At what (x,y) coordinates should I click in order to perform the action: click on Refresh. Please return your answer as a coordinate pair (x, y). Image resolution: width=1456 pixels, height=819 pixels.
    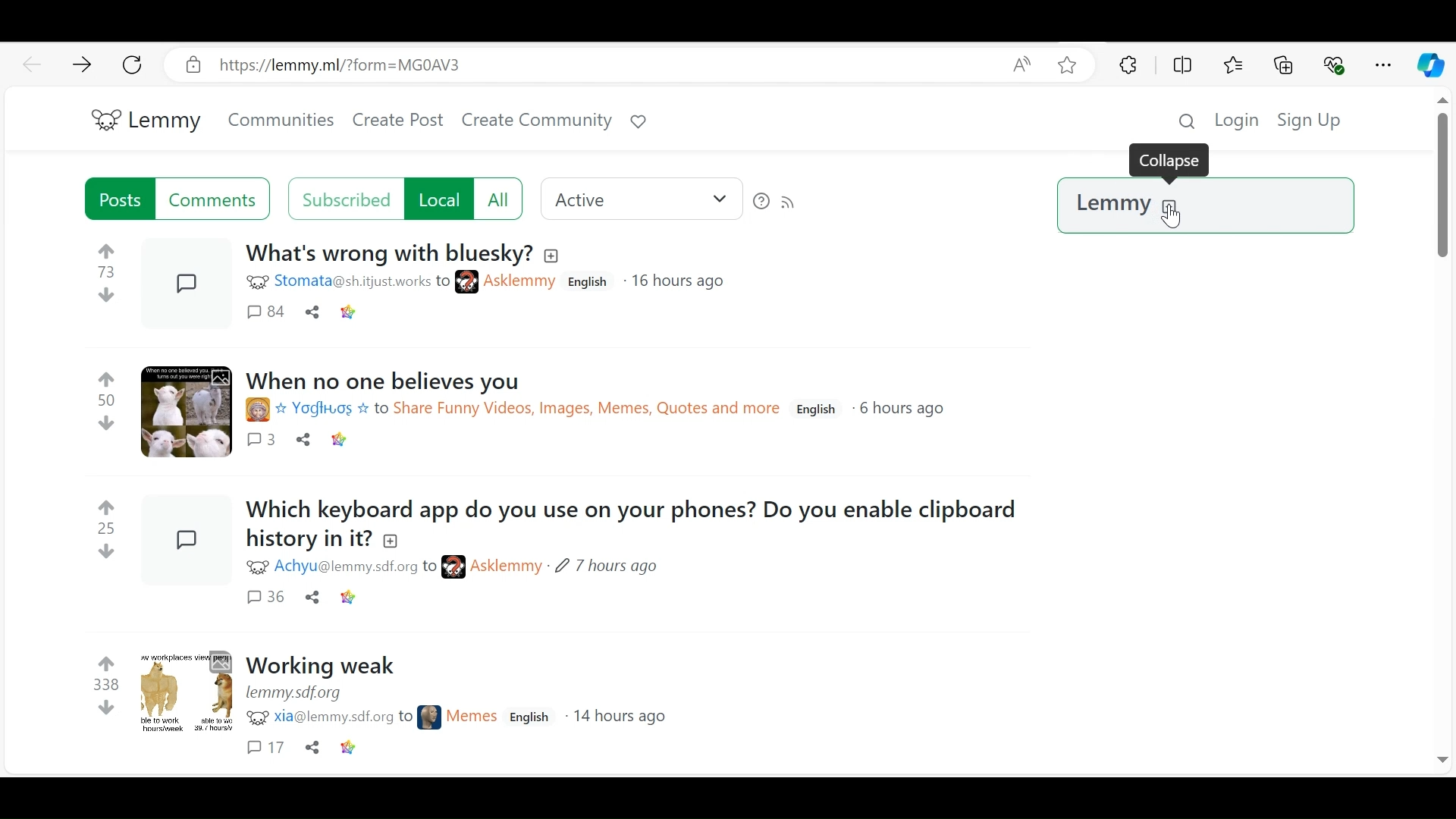
    Looking at the image, I should click on (133, 65).